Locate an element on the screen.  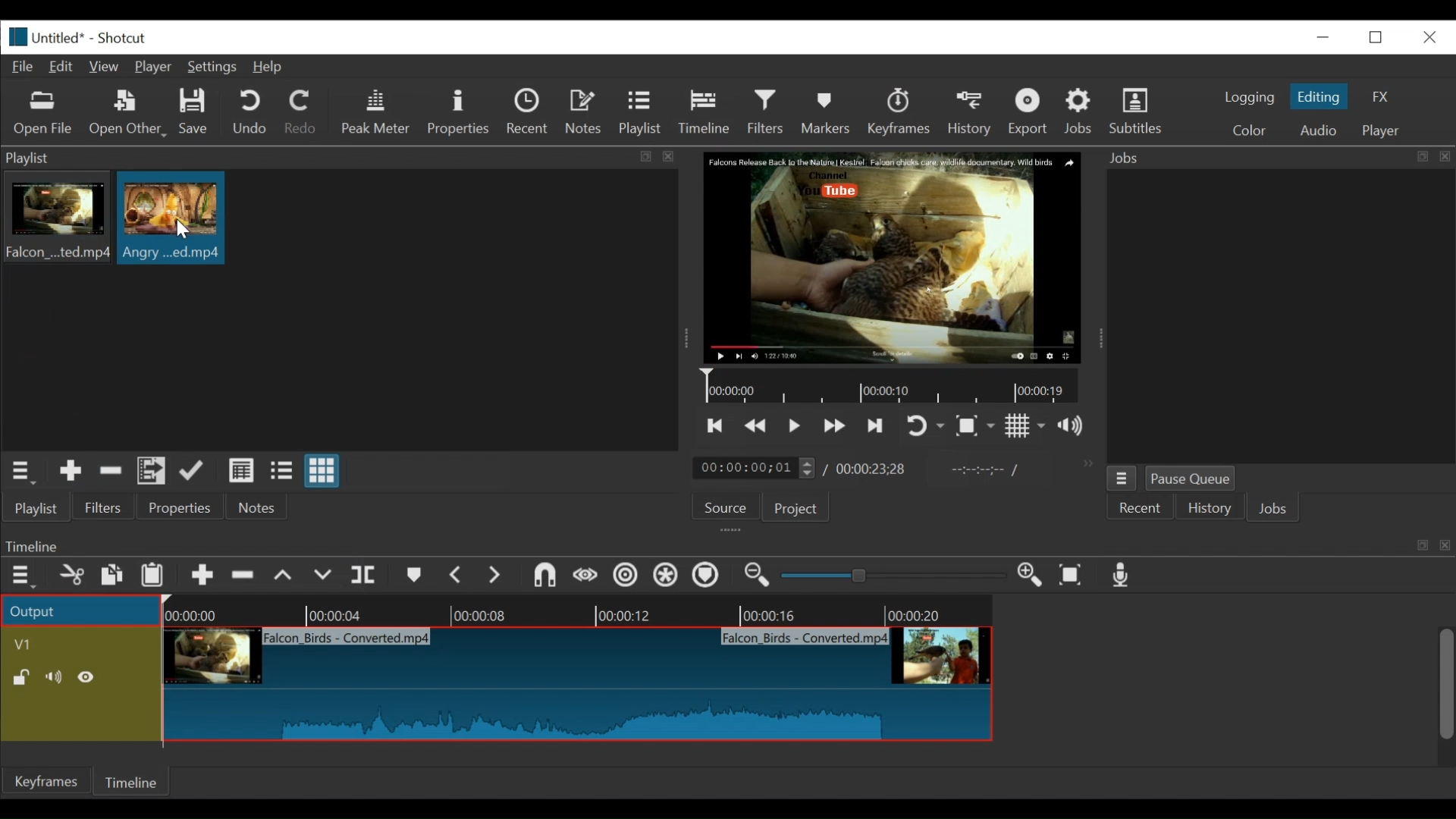
Project is located at coordinates (793, 510).